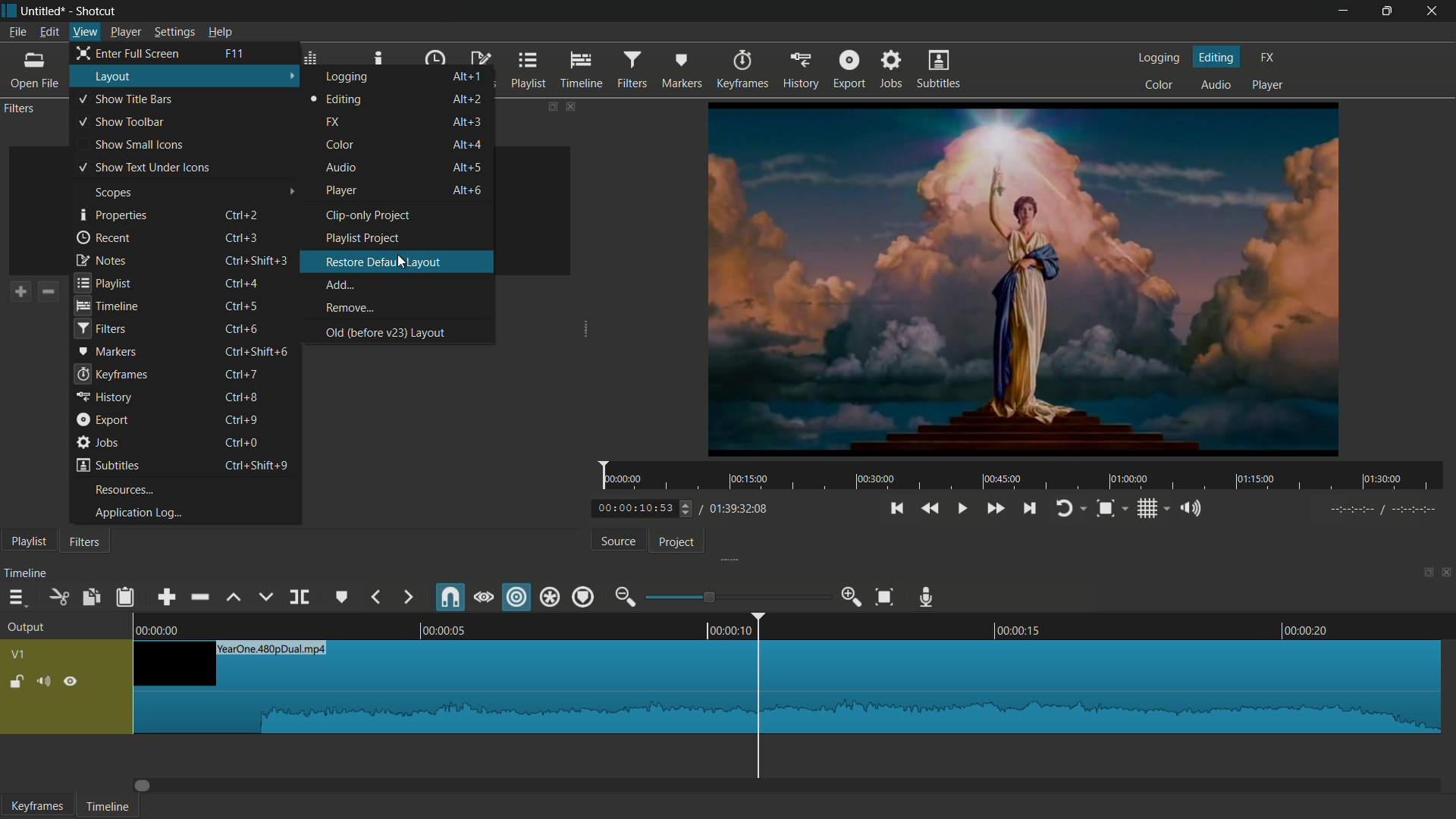 This screenshot has width=1456, height=819. Describe the element at coordinates (130, 52) in the screenshot. I see `enter full screen` at that location.